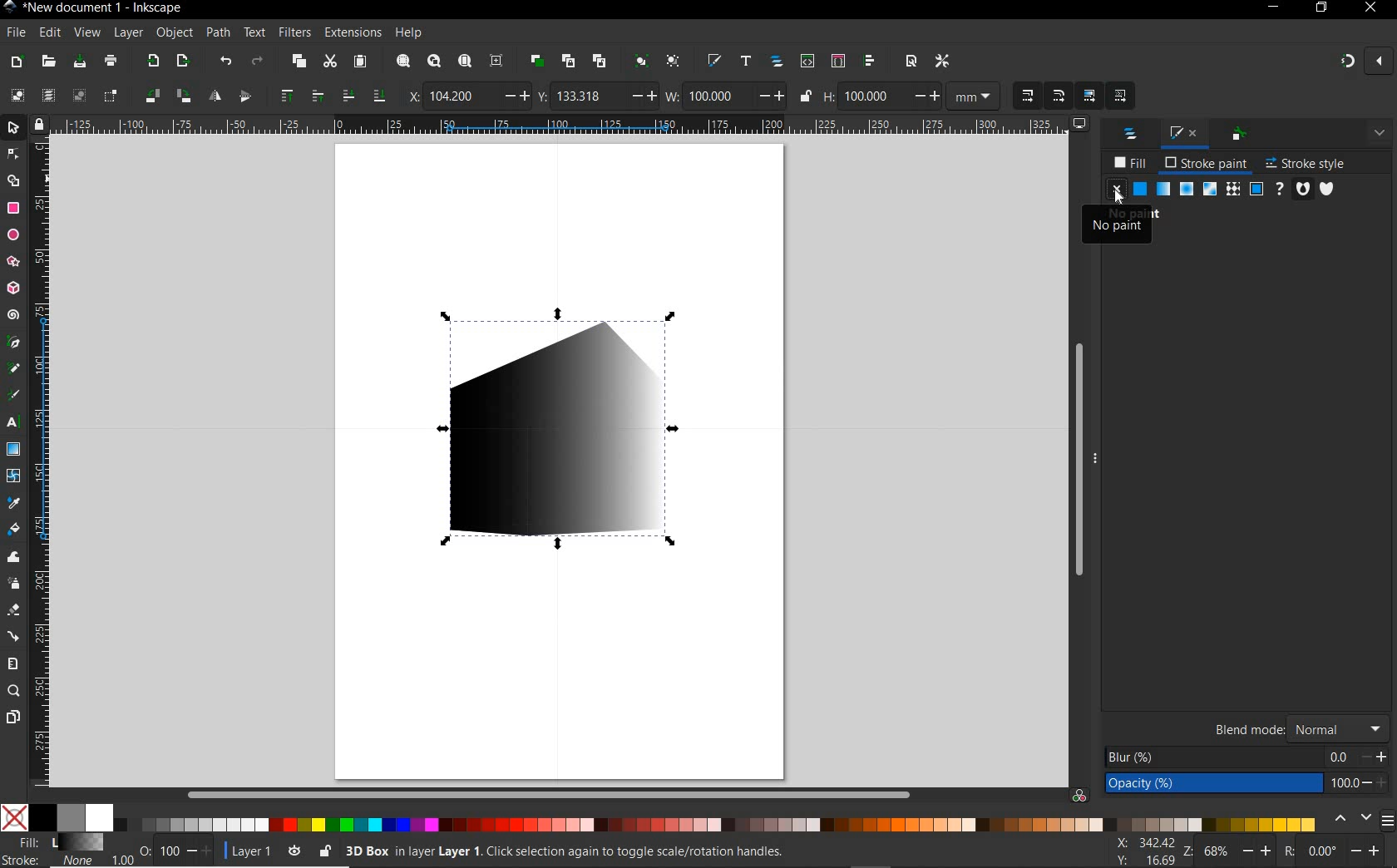 Image resolution: width=1397 pixels, height=868 pixels. What do you see at coordinates (224, 61) in the screenshot?
I see `UNDO` at bounding box center [224, 61].